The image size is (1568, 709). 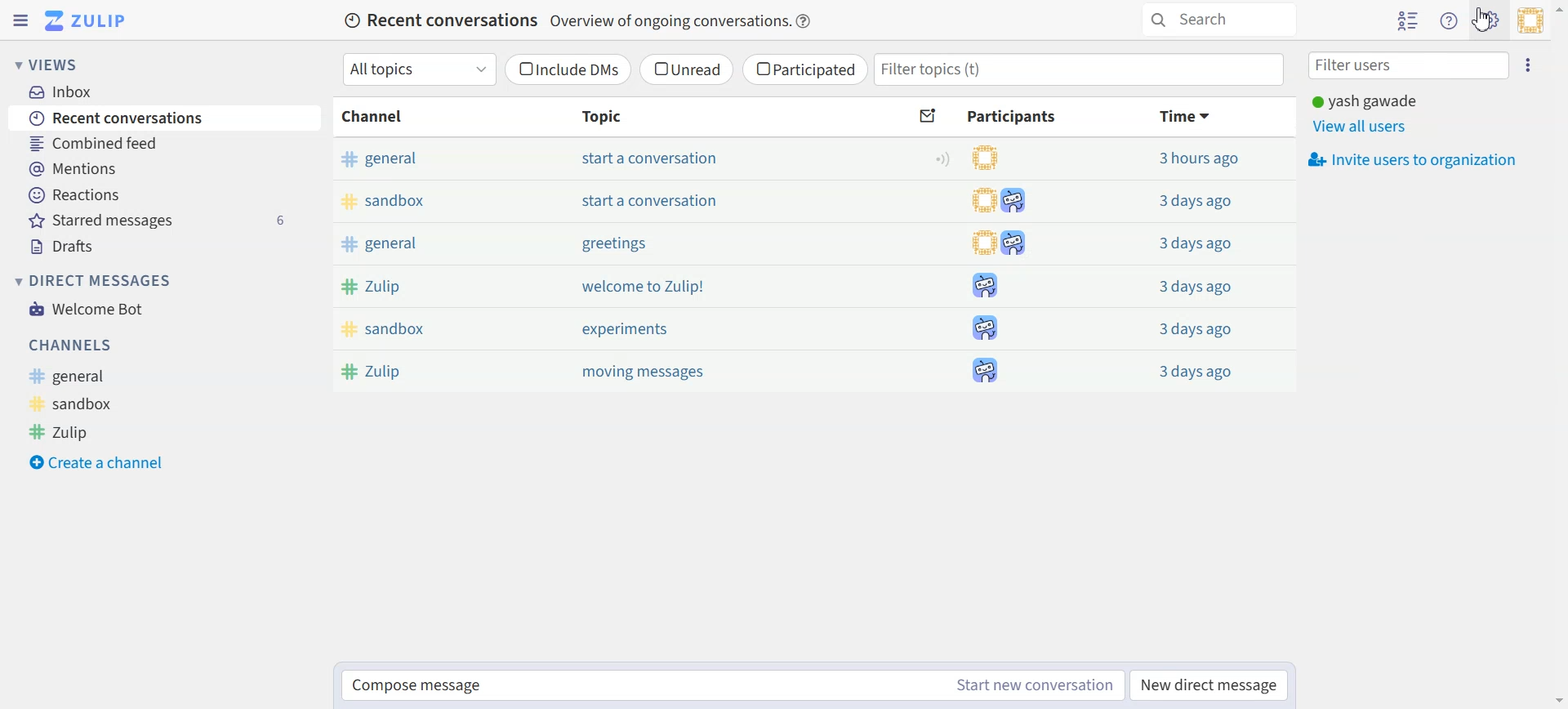 I want to click on participants, so click(x=984, y=158).